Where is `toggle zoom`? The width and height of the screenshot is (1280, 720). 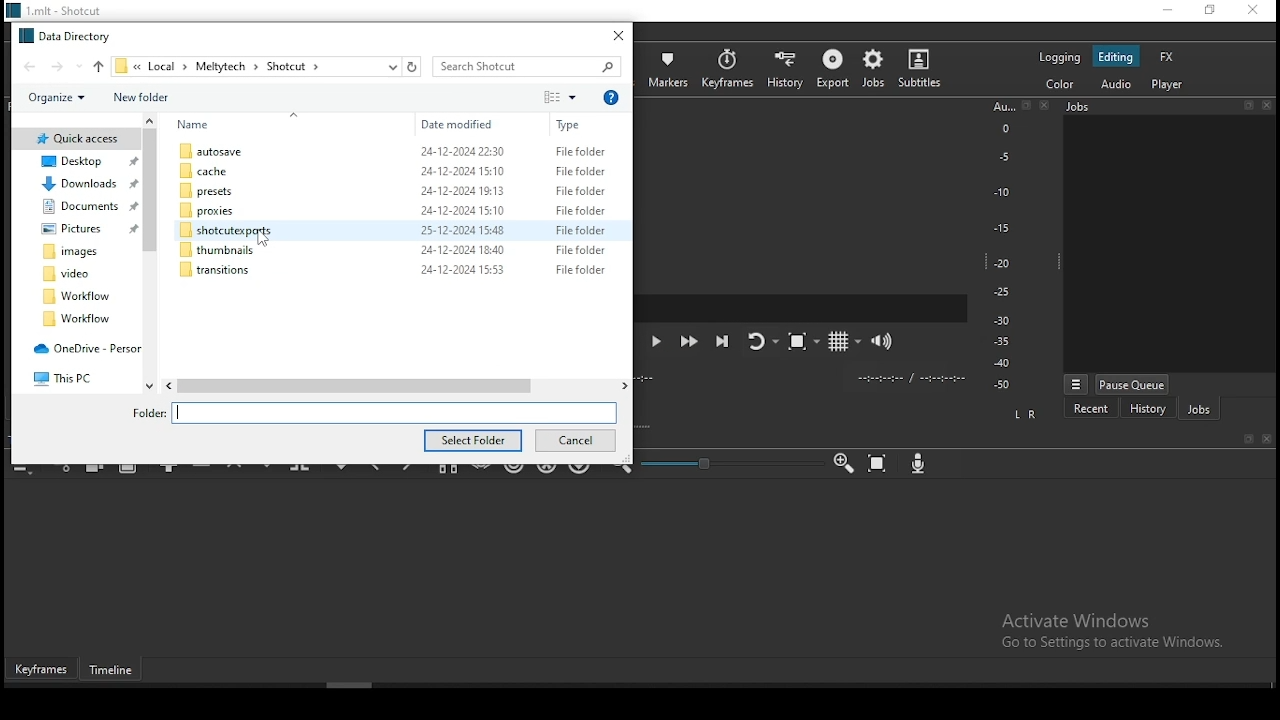
toggle zoom is located at coordinates (800, 344).